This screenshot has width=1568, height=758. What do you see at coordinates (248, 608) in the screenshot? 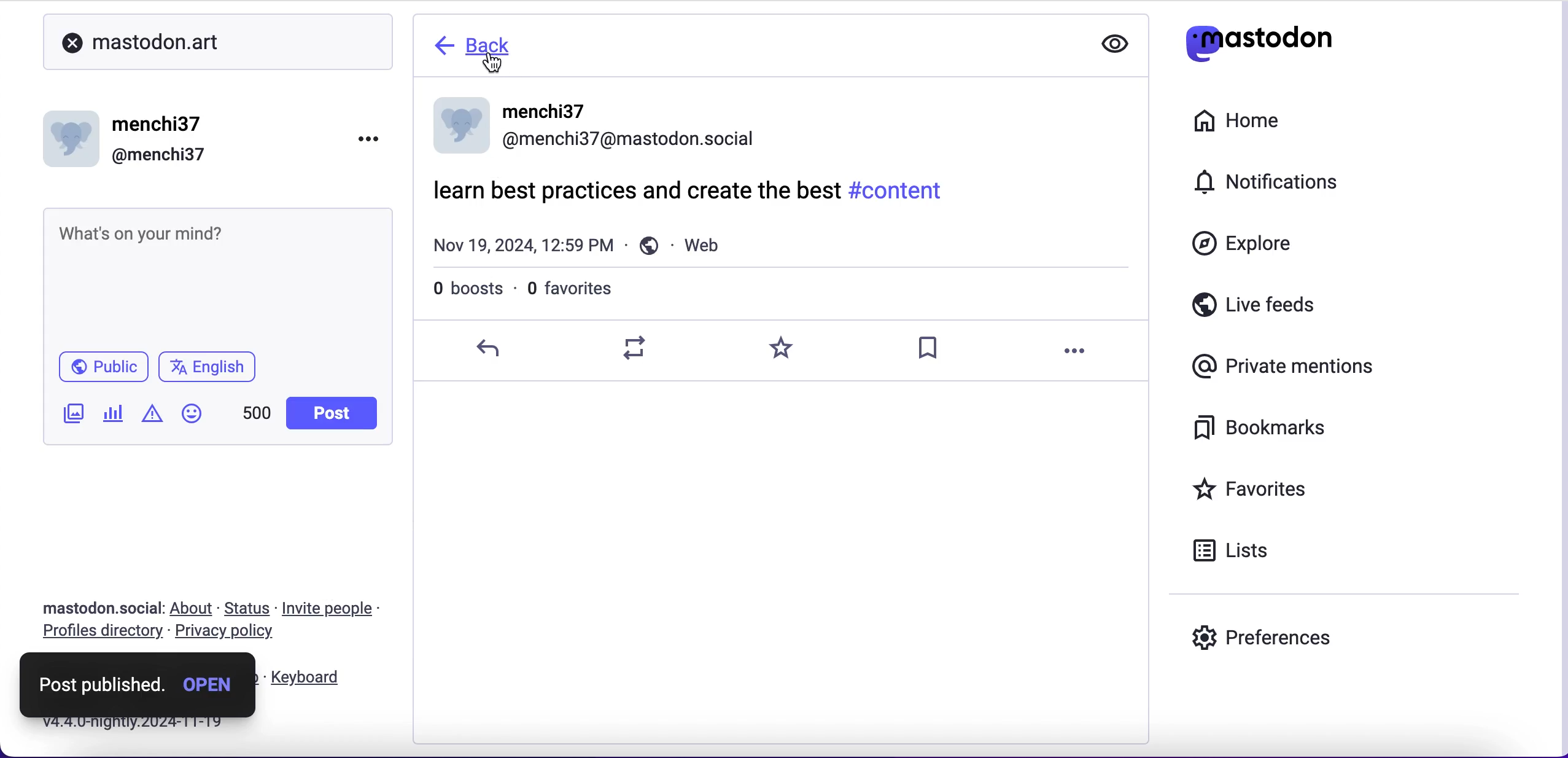
I see `status` at bounding box center [248, 608].